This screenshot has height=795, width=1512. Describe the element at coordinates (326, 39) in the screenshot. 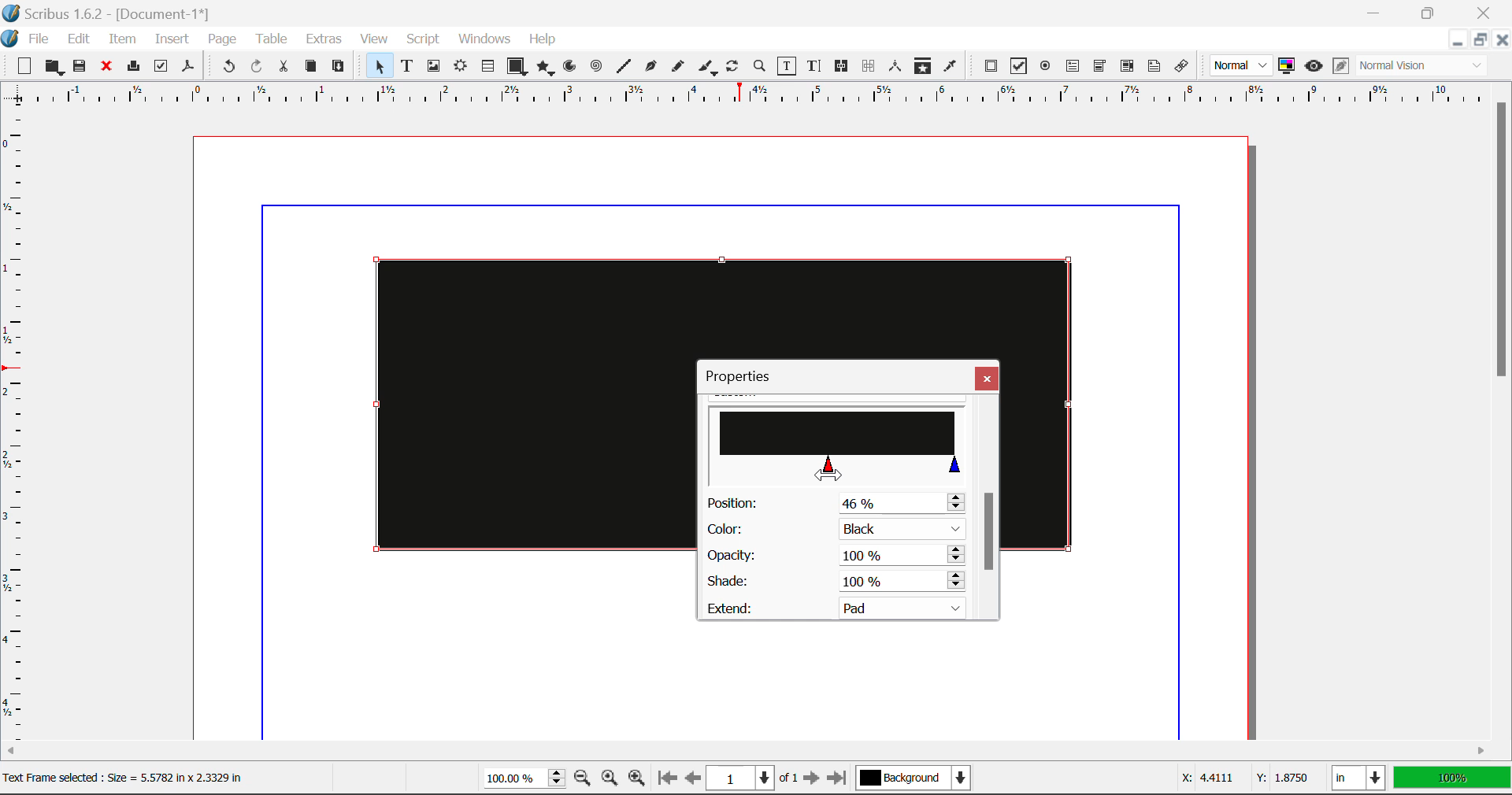

I see `Extras` at that location.